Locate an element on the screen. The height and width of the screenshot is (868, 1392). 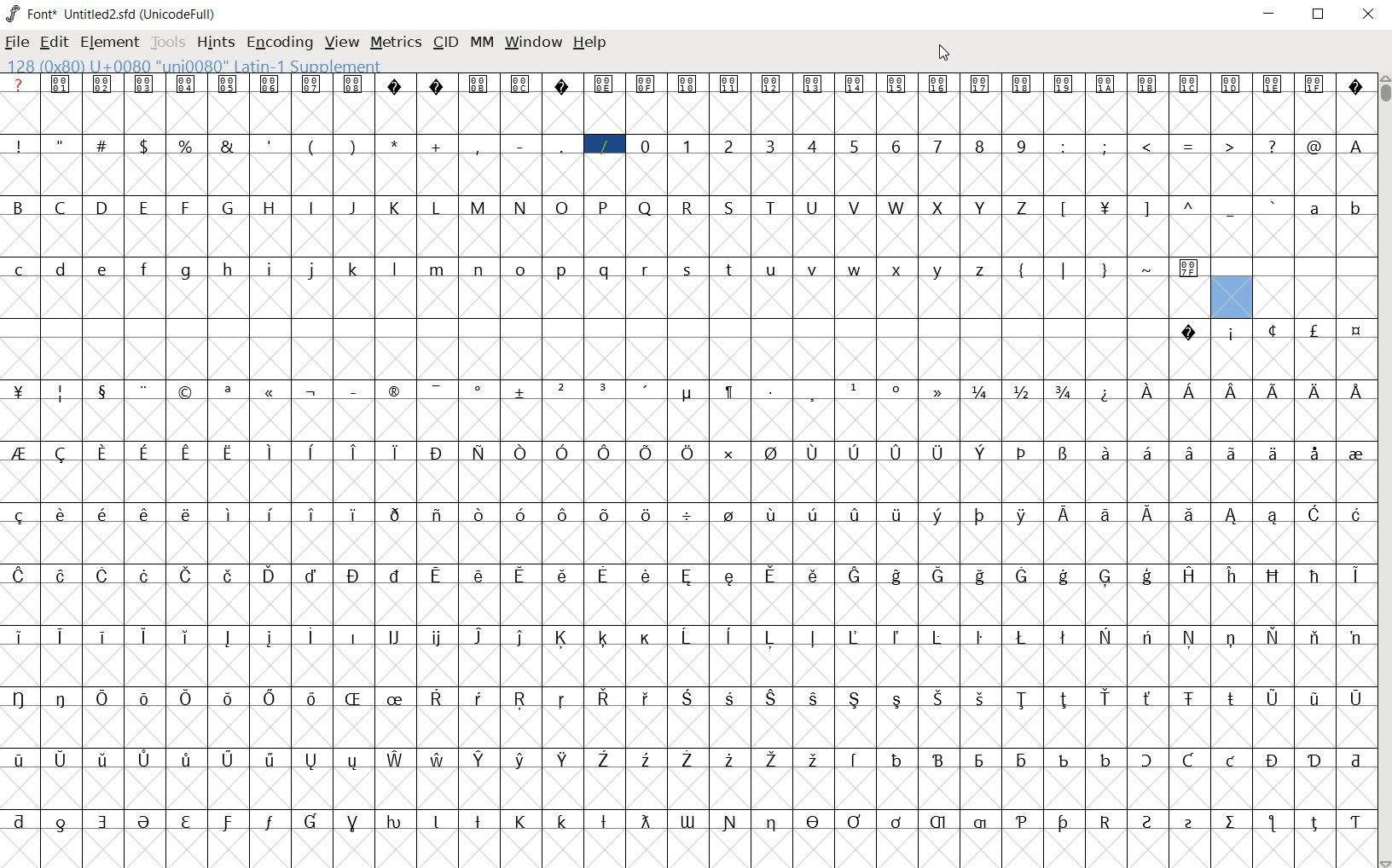
glyph is located at coordinates (814, 269).